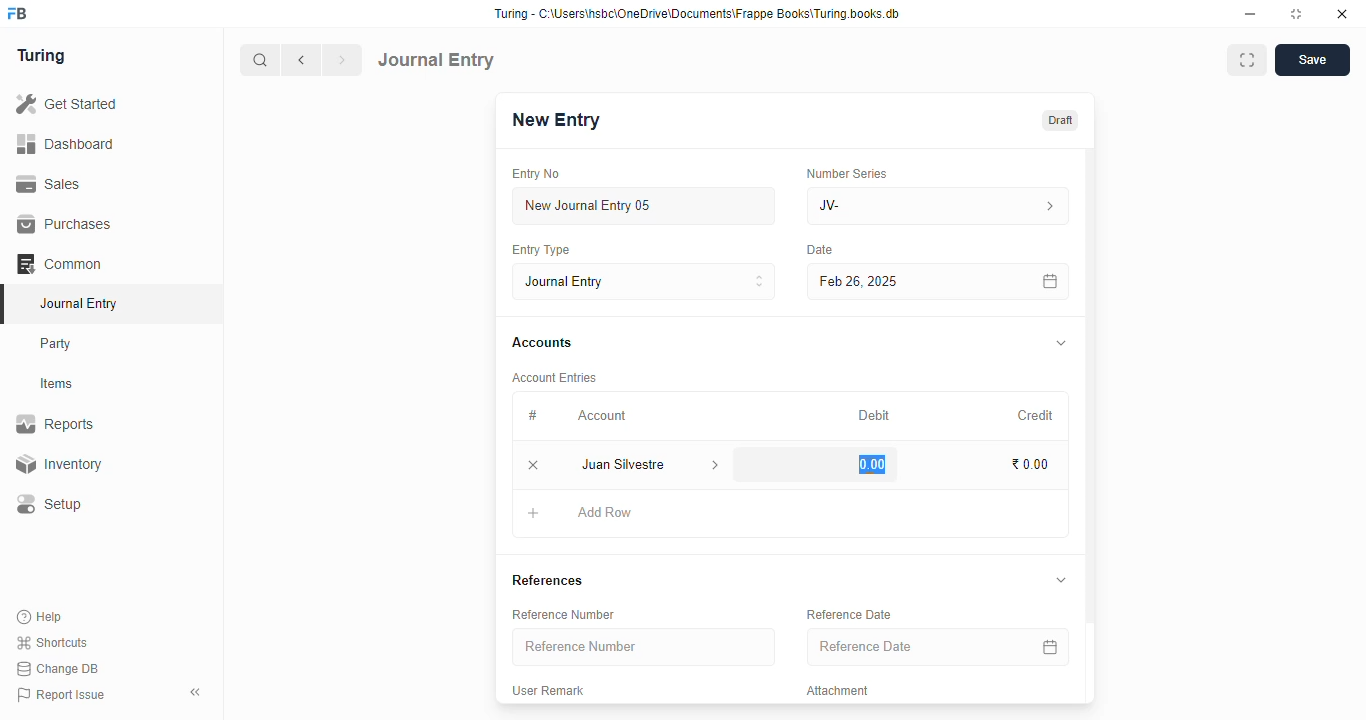 This screenshot has width=1366, height=720. What do you see at coordinates (261, 60) in the screenshot?
I see `search` at bounding box center [261, 60].